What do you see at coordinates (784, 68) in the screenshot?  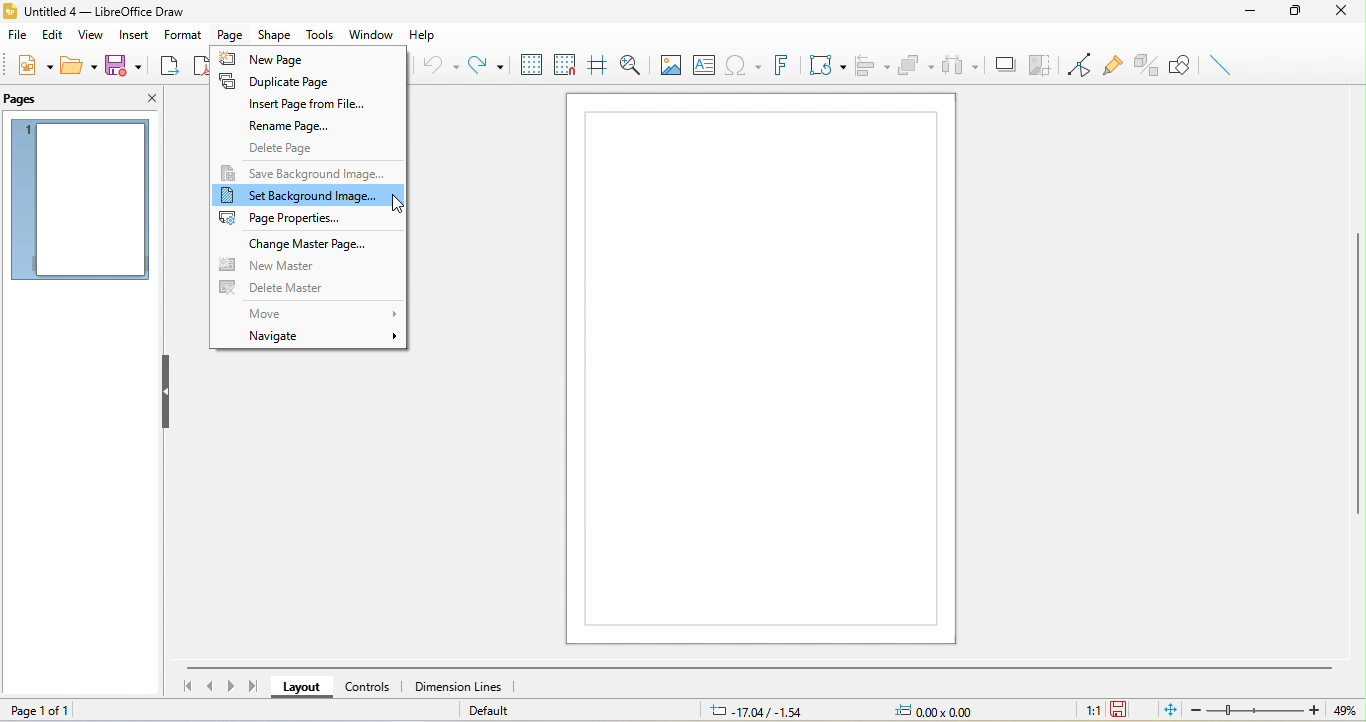 I see `font work text` at bounding box center [784, 68].